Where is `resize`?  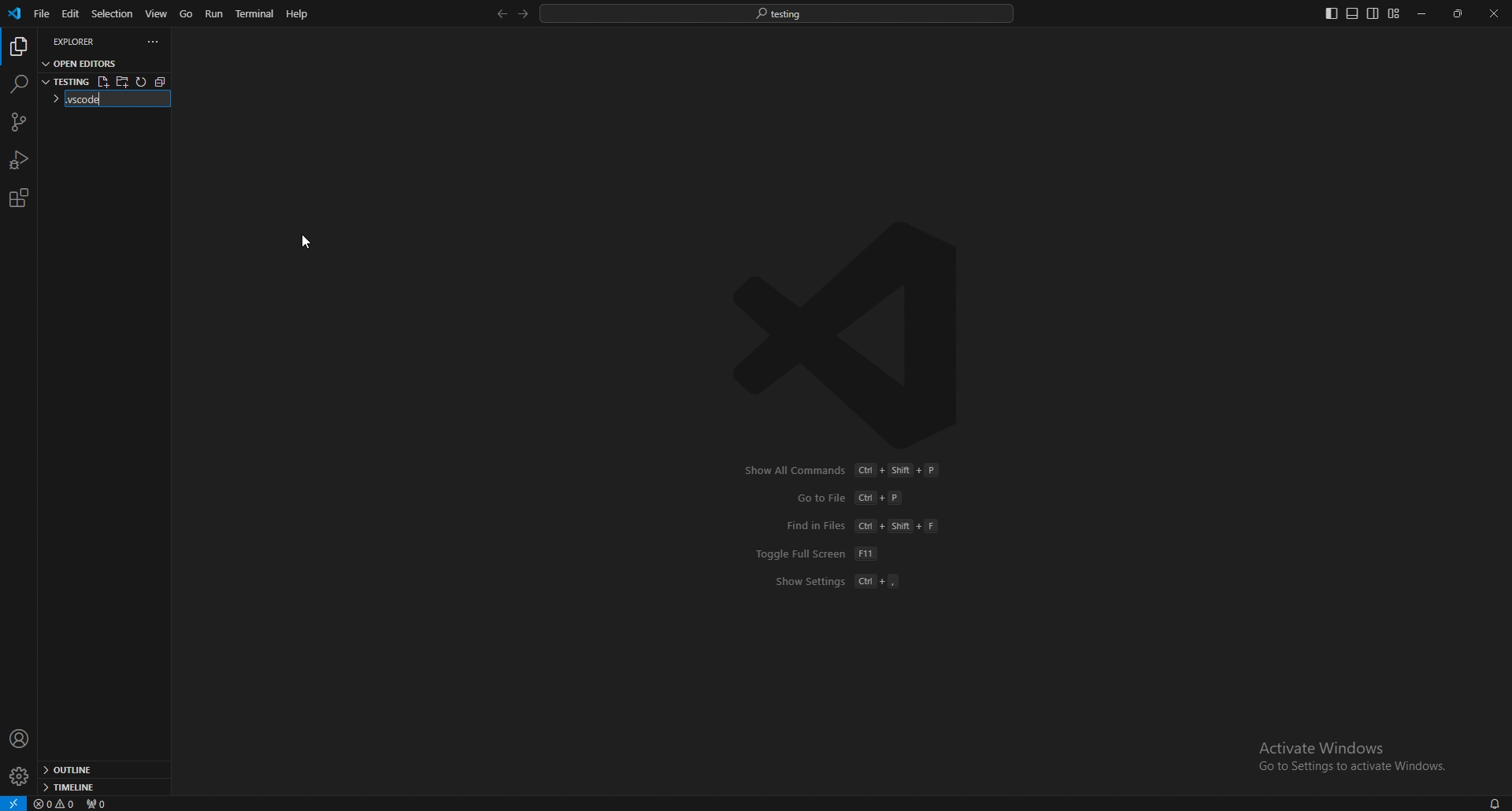 resize is located at coordinates (1459, 14).